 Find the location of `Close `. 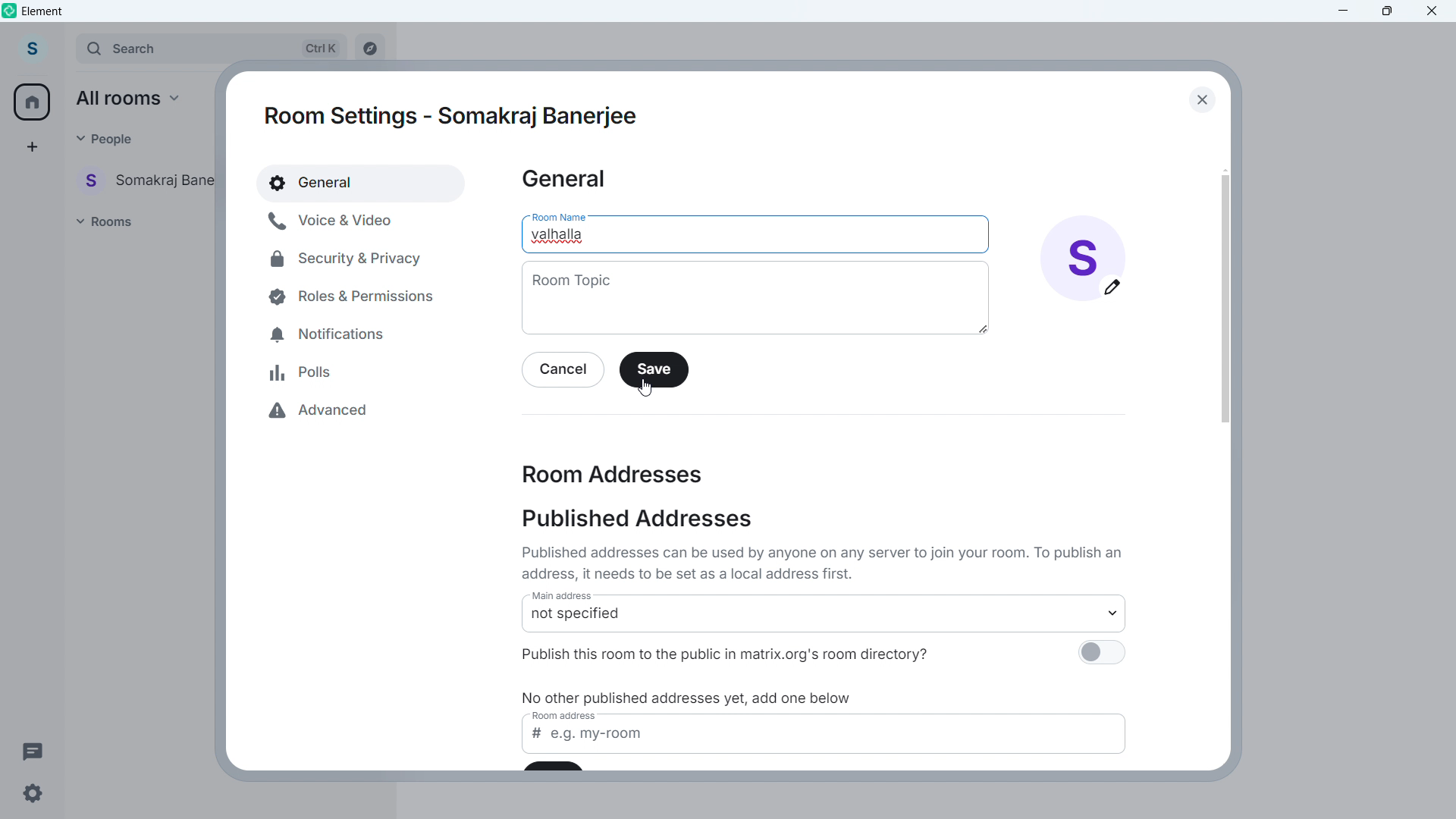

Close  is located at coordinates (1200, 99).